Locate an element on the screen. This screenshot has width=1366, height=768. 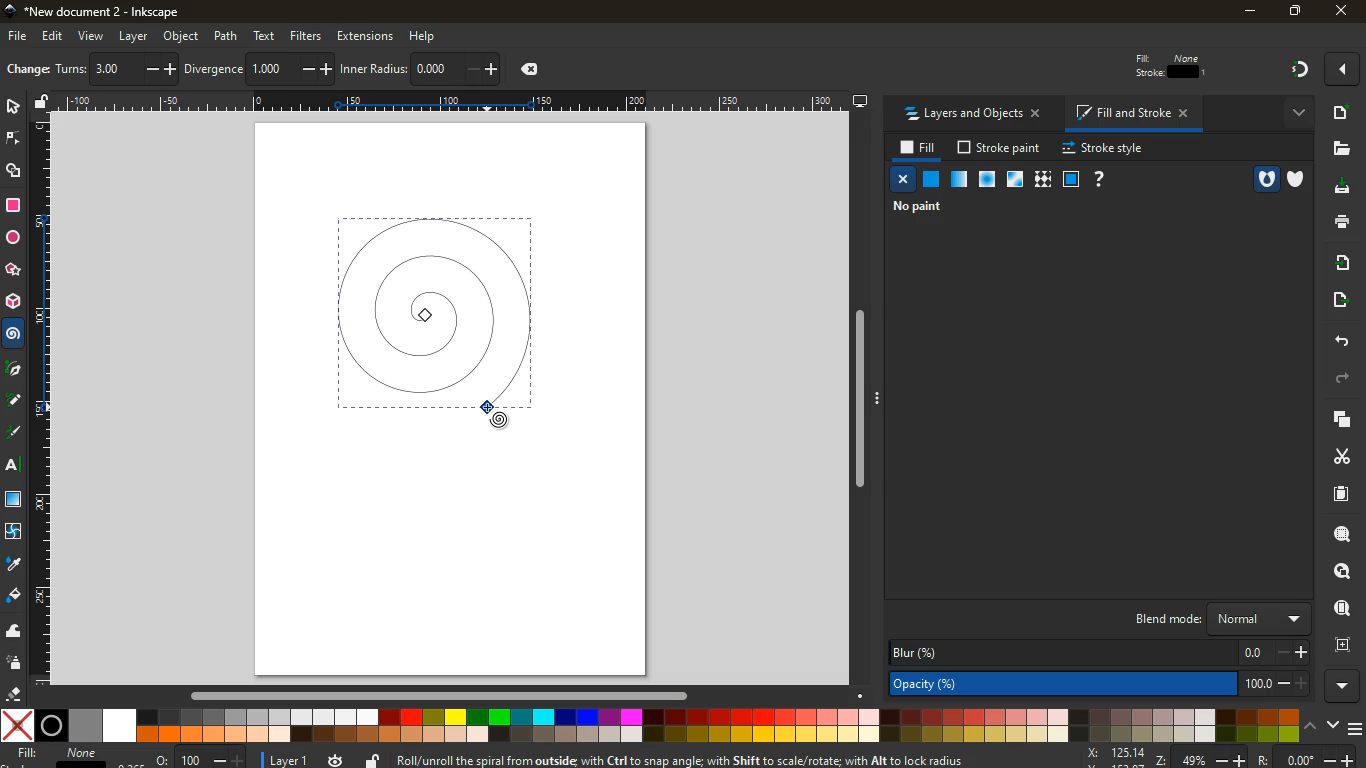
 is located at coordinates (1357, 728).